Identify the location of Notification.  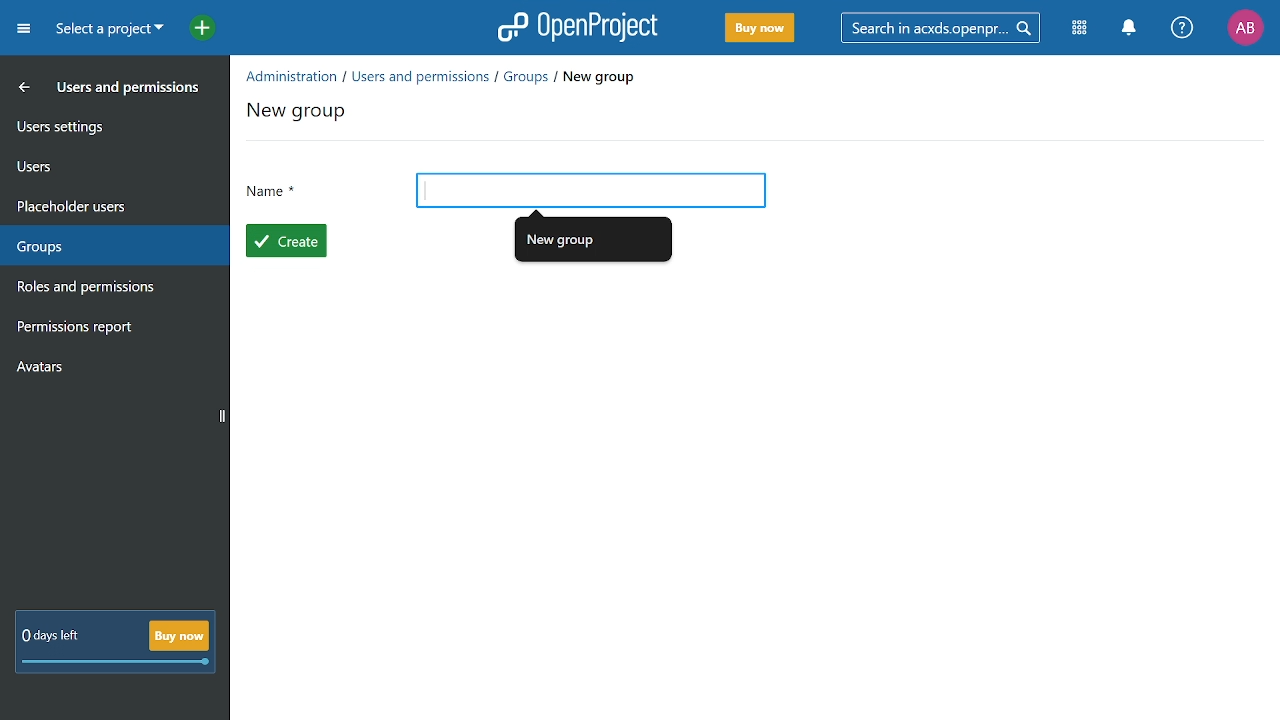
(1128, 28).